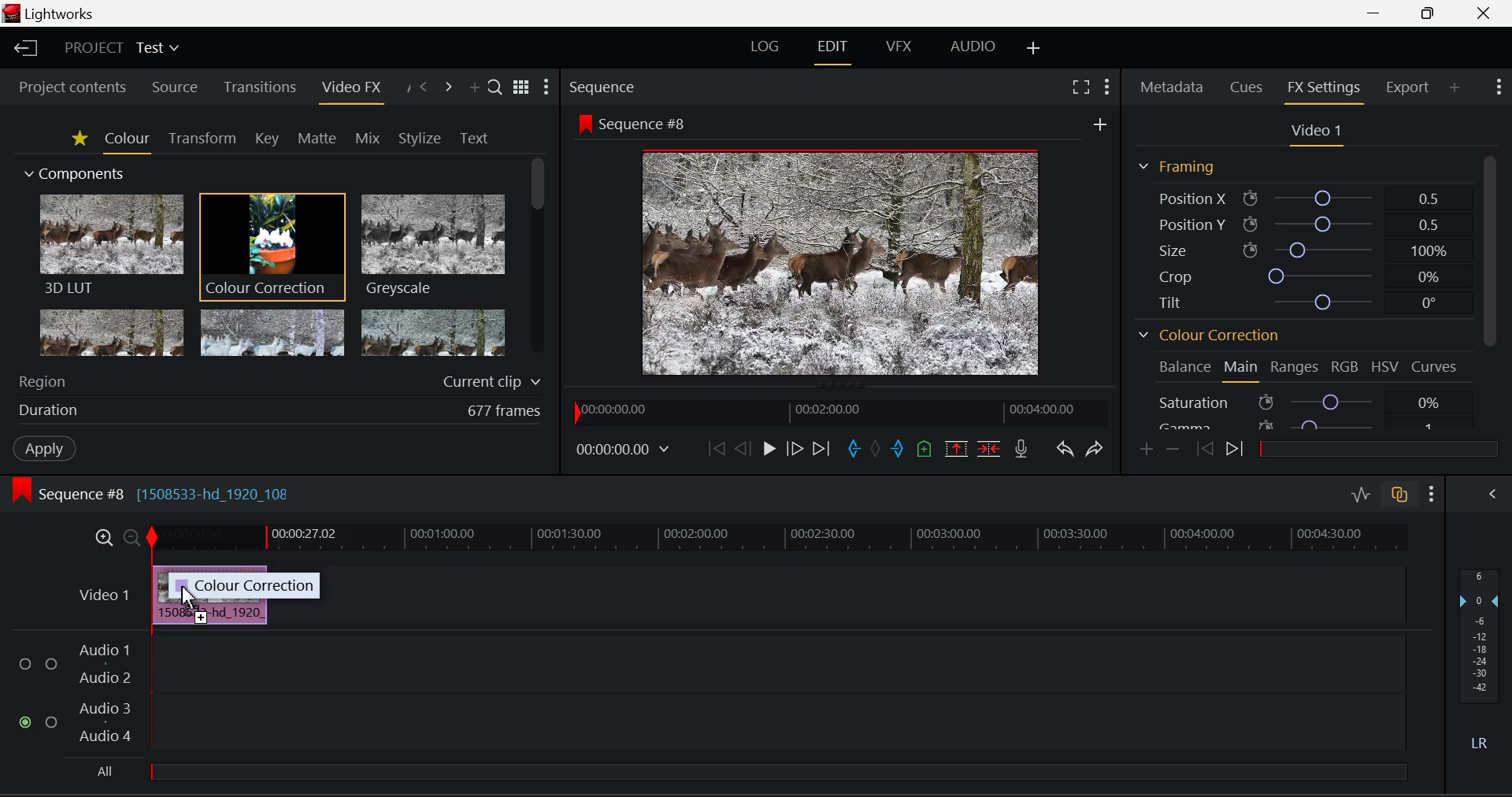 The image size is (1512, 797). Describe the element at coordinates (76, 175) in the screenshot. I see `Components` at that location.